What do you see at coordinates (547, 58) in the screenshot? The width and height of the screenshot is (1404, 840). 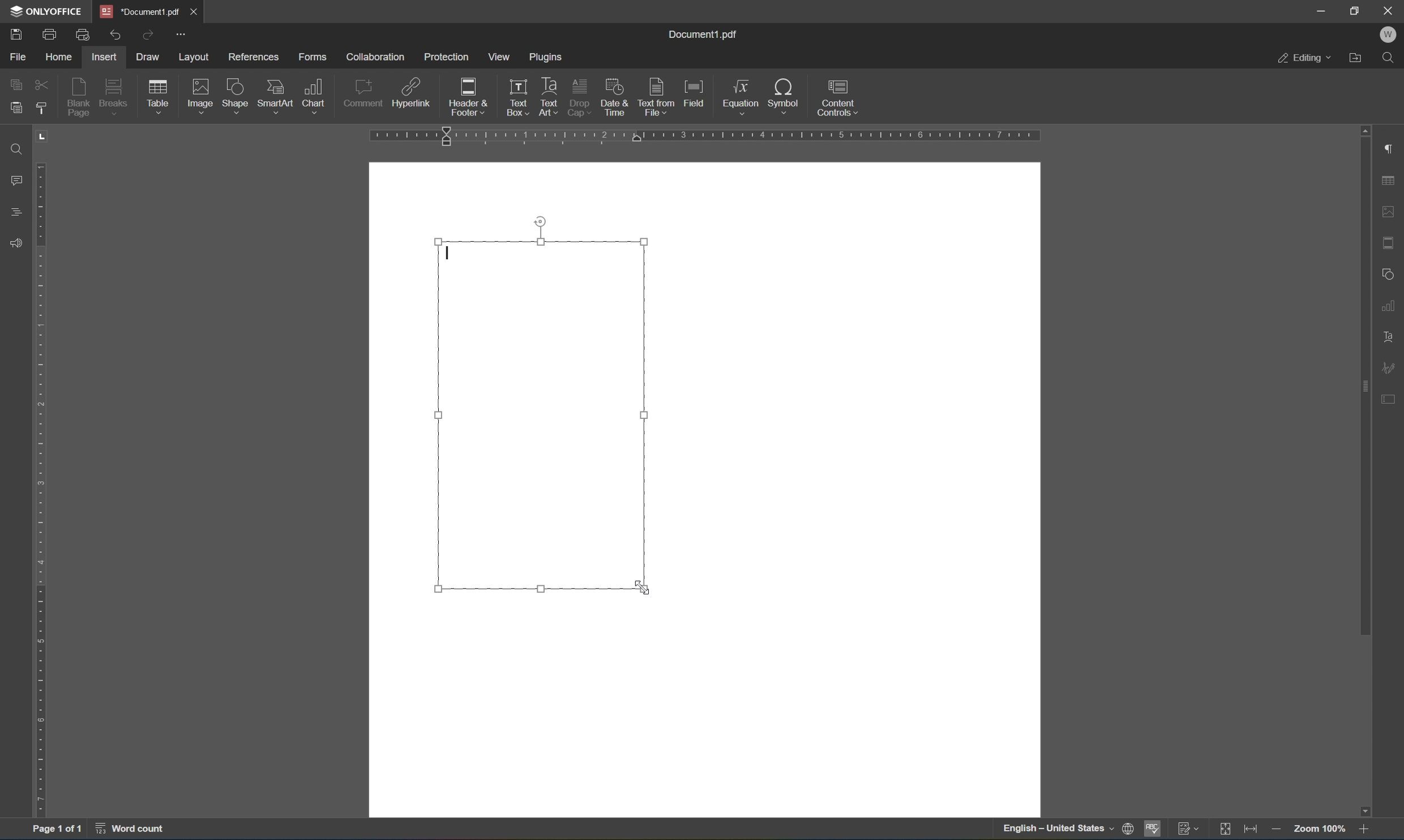 I see `plugins` at bounding box center [547, 58].